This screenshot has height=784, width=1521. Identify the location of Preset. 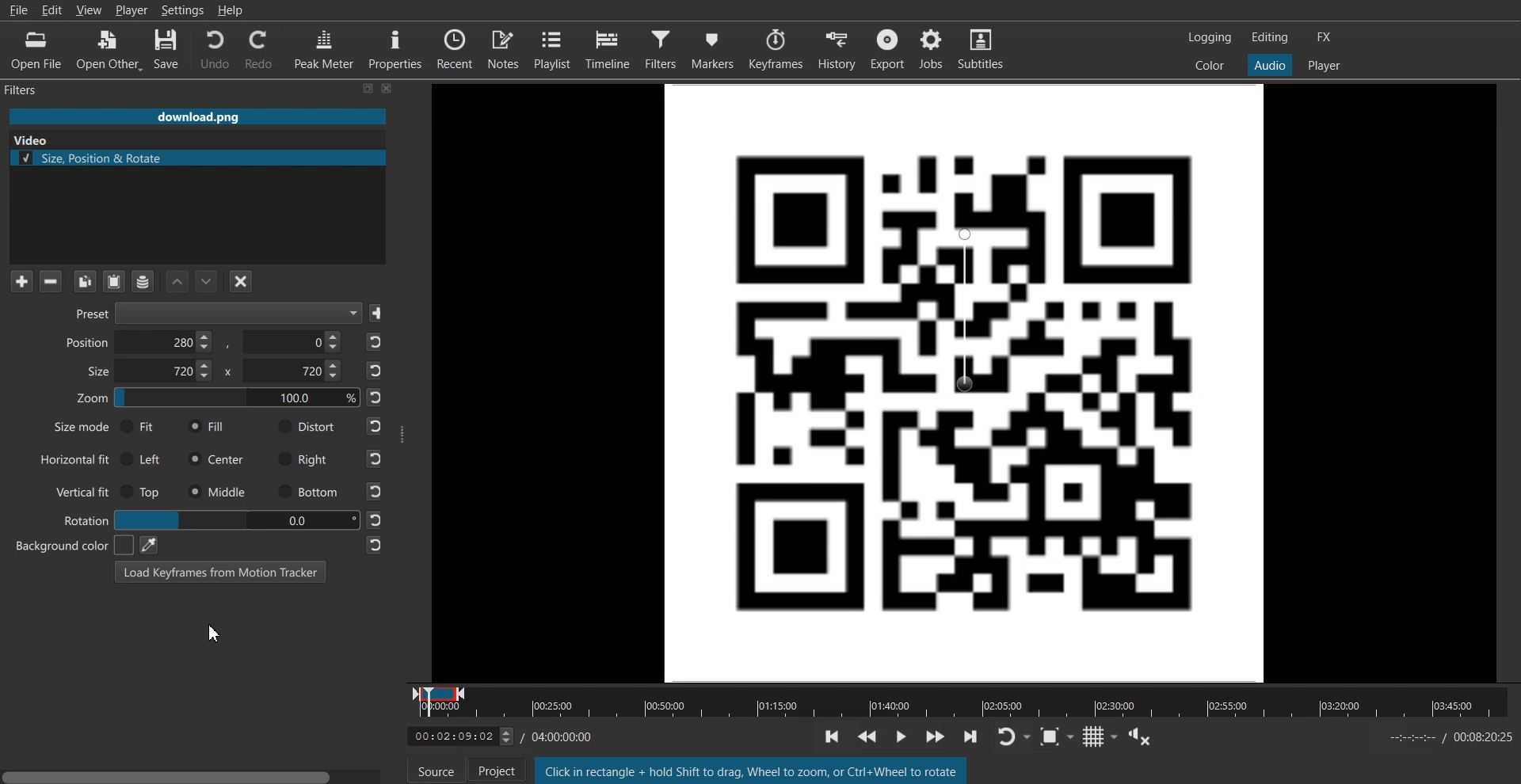
(213, 314).